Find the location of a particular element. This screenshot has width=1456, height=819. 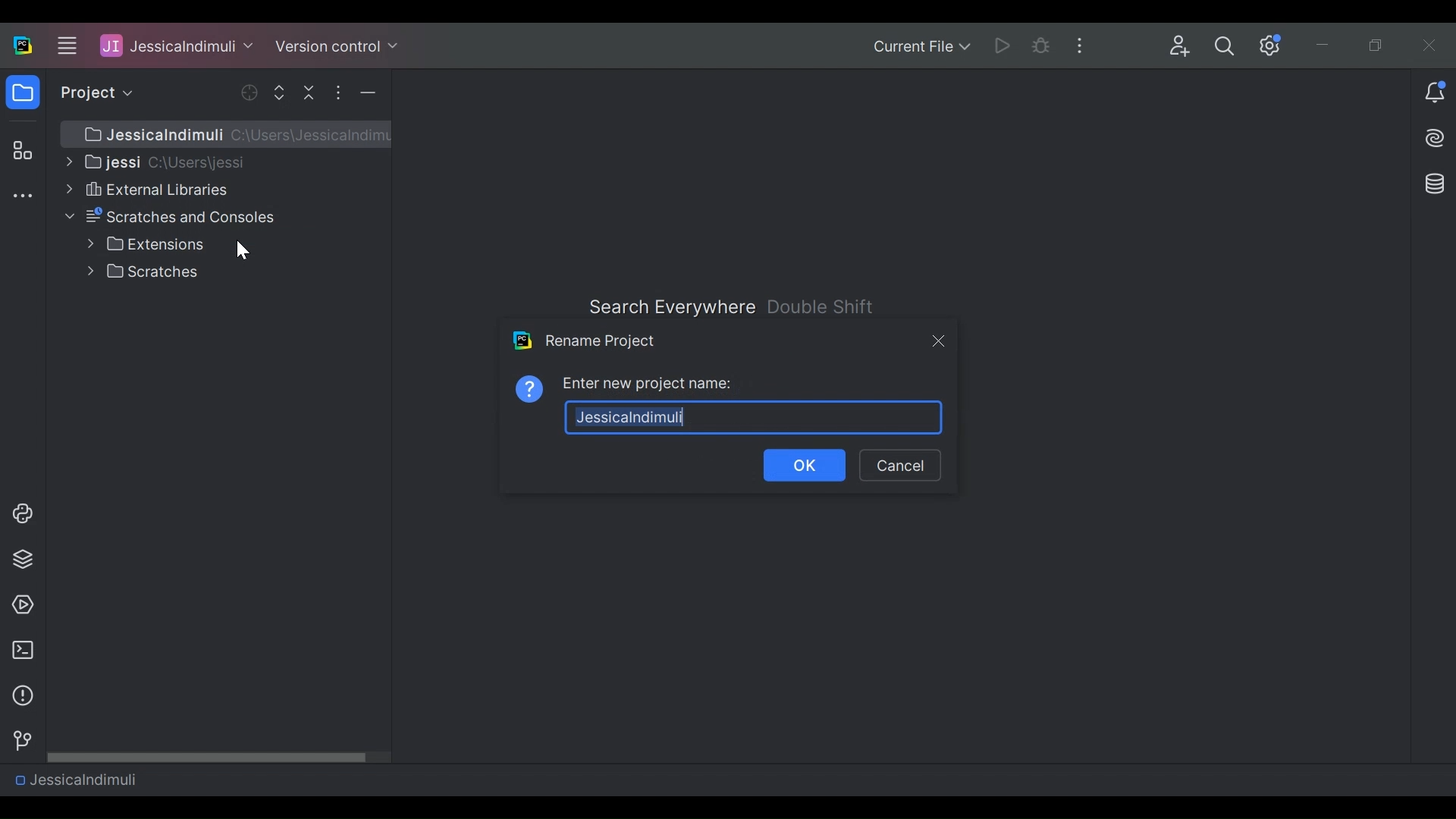

terminal is located at coordinates (18, 651).